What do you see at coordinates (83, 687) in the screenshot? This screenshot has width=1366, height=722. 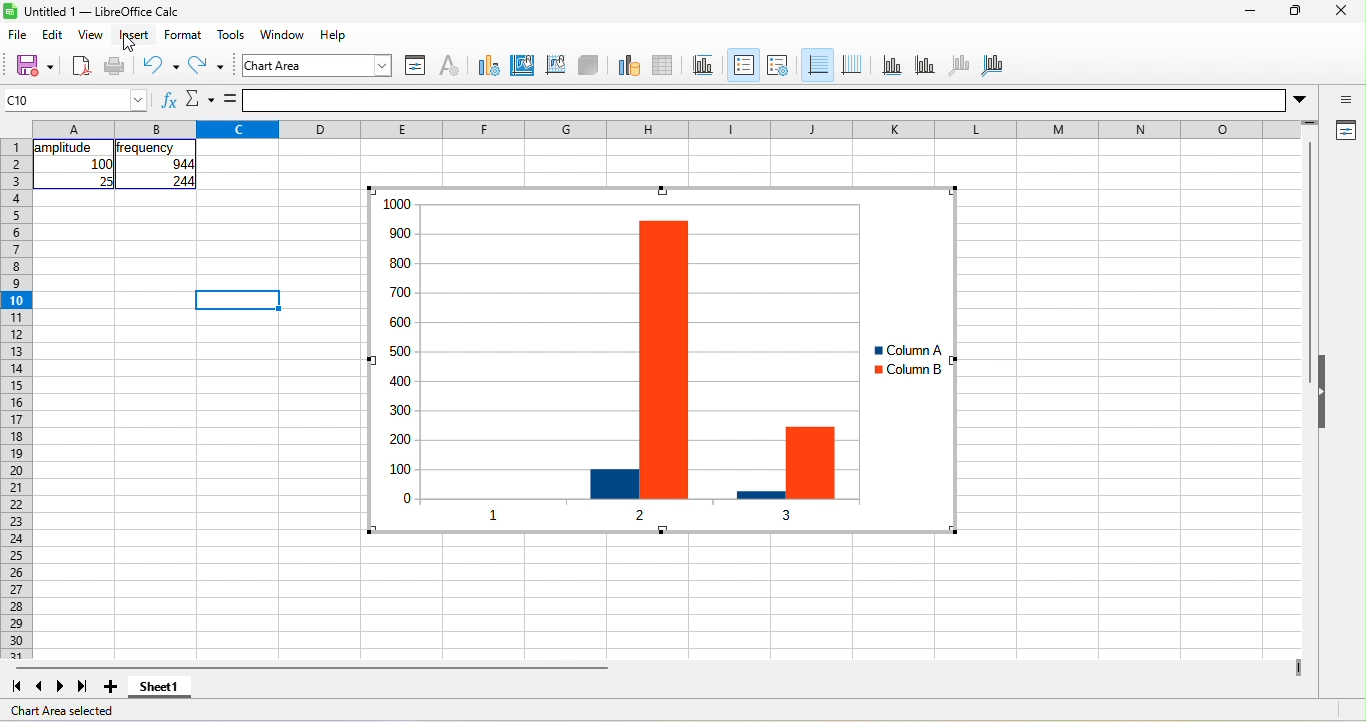 I see `last sheet` at bounding box center [83, 687].